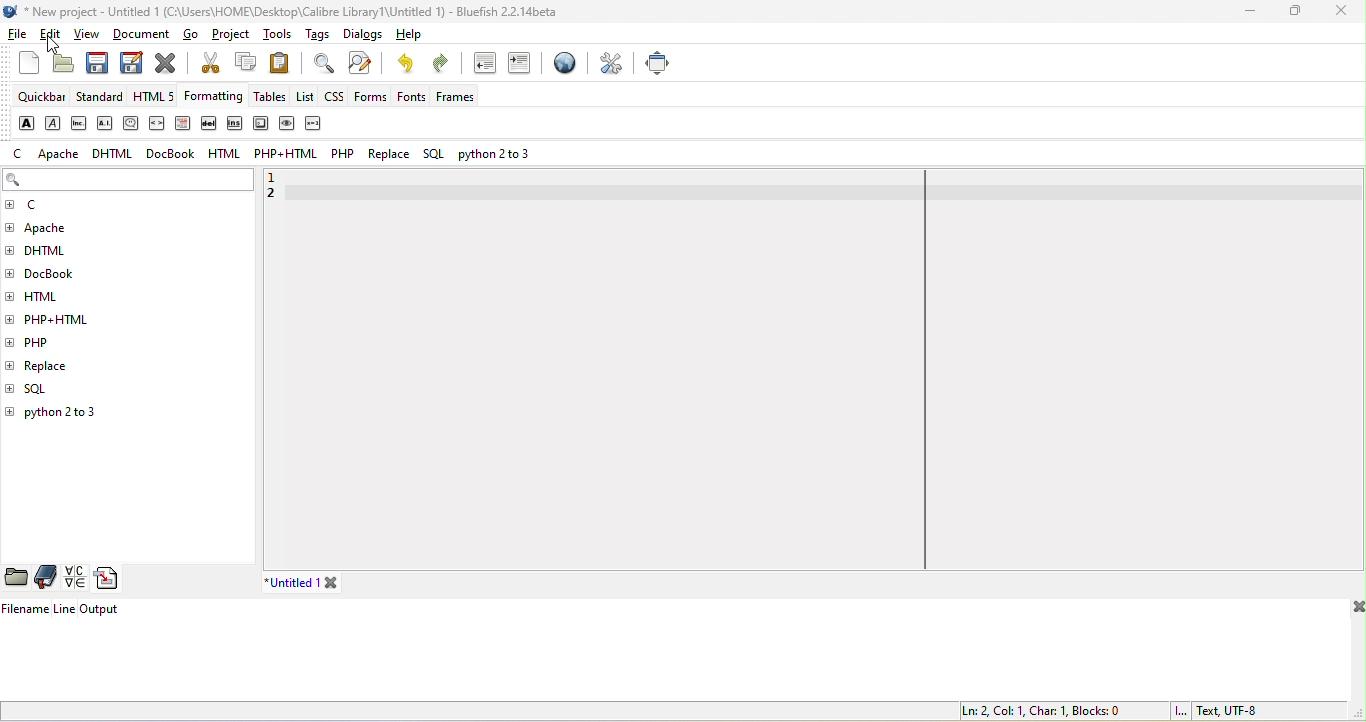  What do you see at coordinates (500, 155) in the screenshot?
I see `python 2 to 3` at bounding box center [500, 155].